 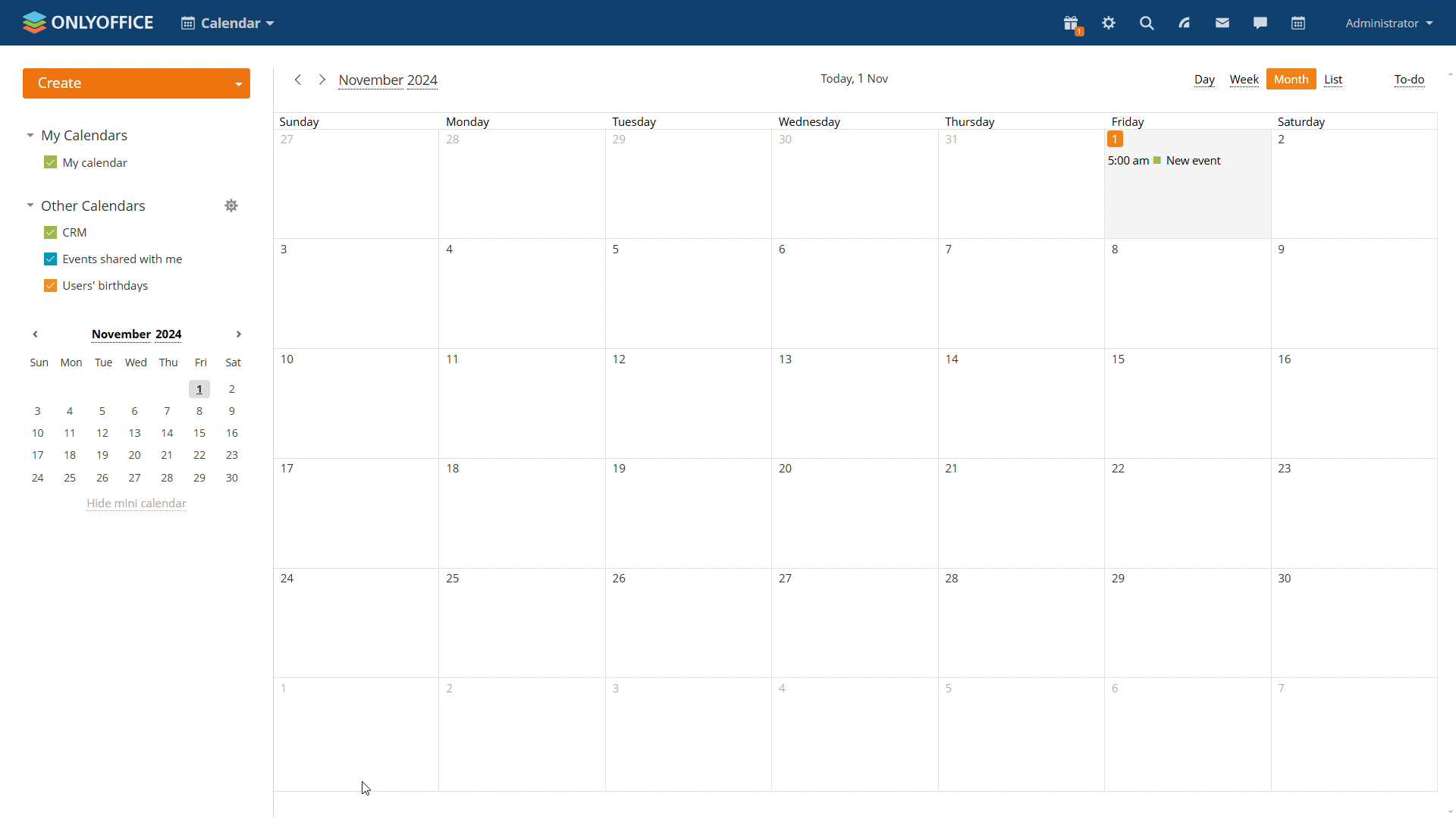 I want to click on my calendars, so click(x=79, y=135).